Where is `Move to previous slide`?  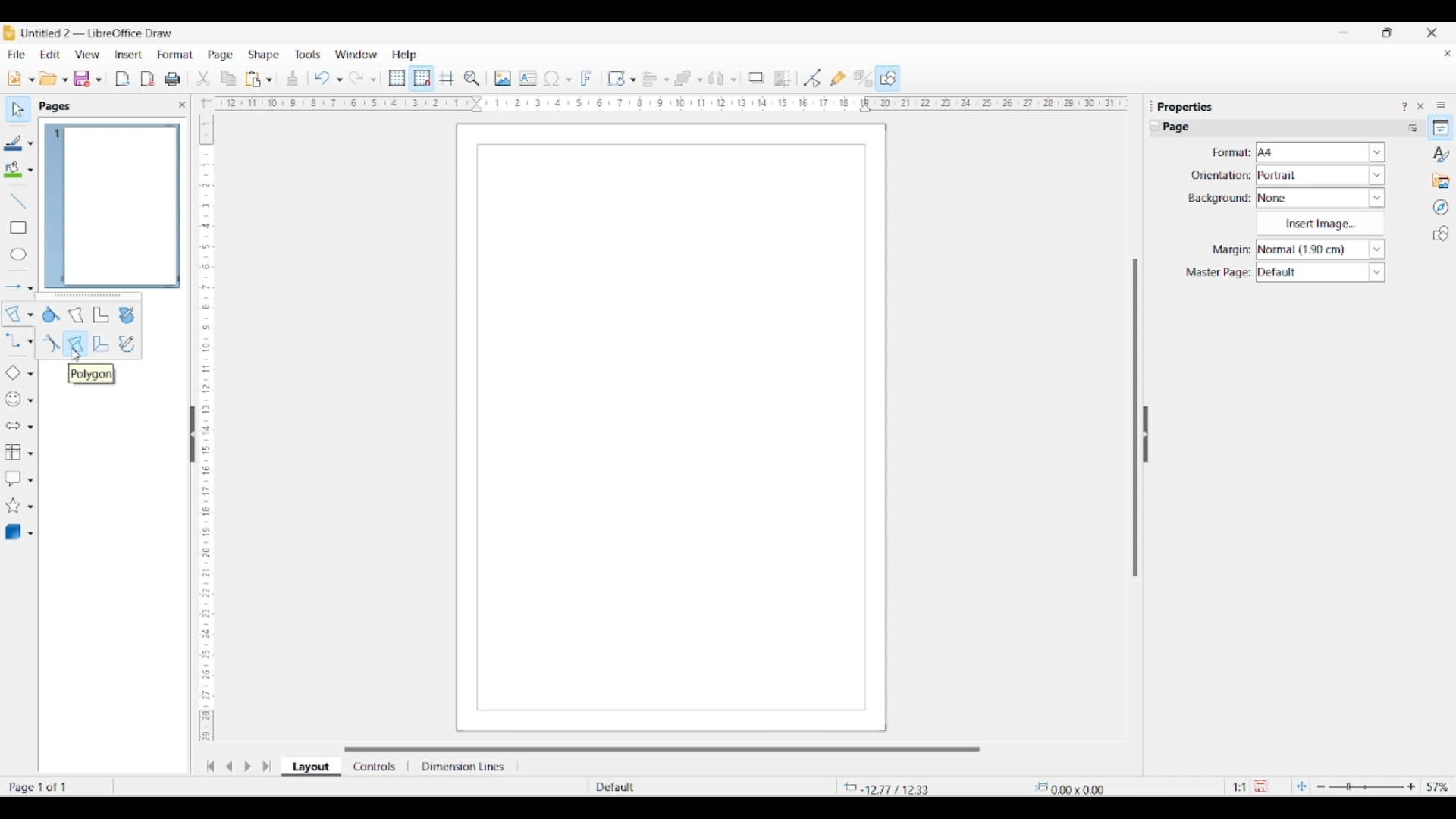 Move to previous slide is located at coordinates (229, 766).